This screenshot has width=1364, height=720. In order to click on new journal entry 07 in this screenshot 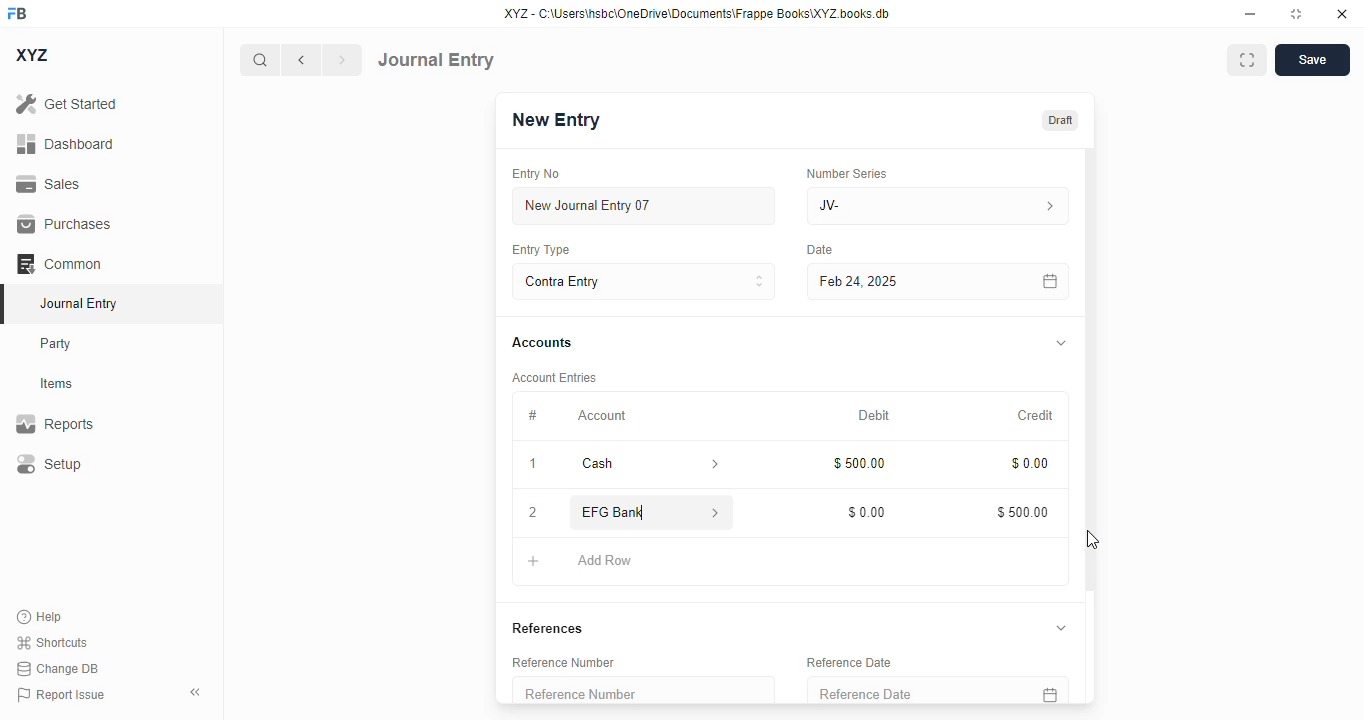, I will do `click(645, 205)`.